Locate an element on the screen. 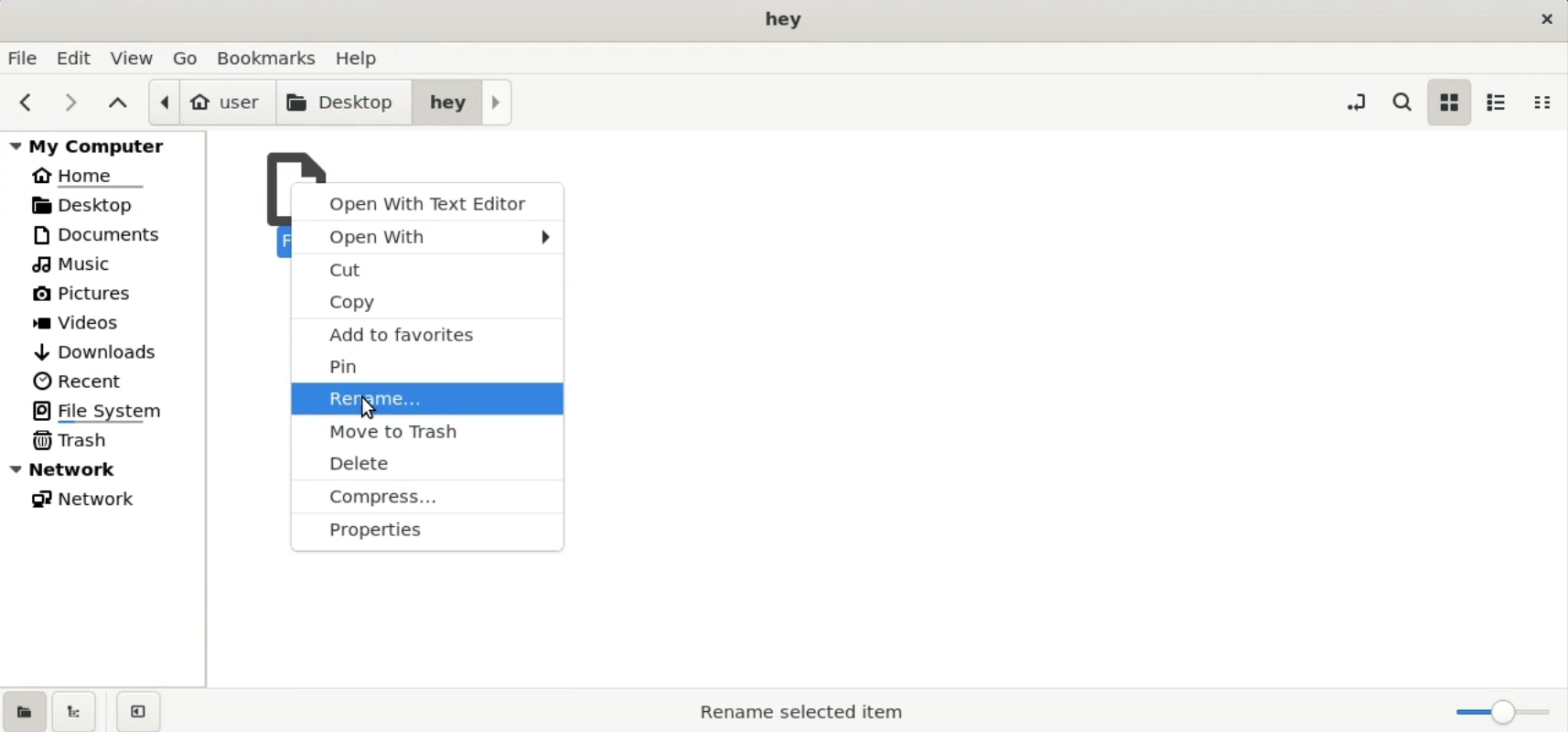 This screenshot has height=732, width=1568. compact view is located at coordinates (1548, 102).